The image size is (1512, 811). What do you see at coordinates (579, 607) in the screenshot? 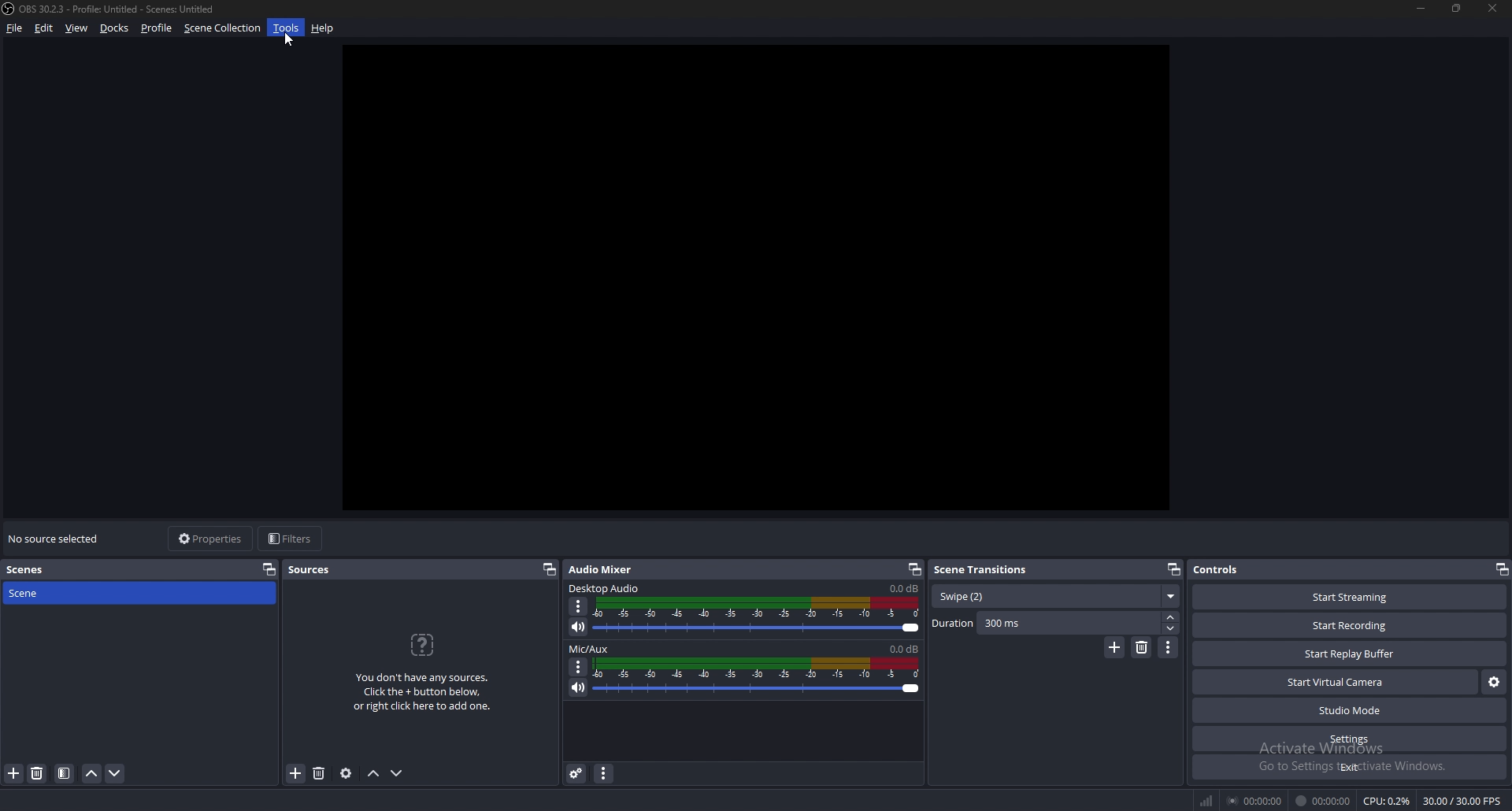
I see `options` at bounding box center [579, 607].